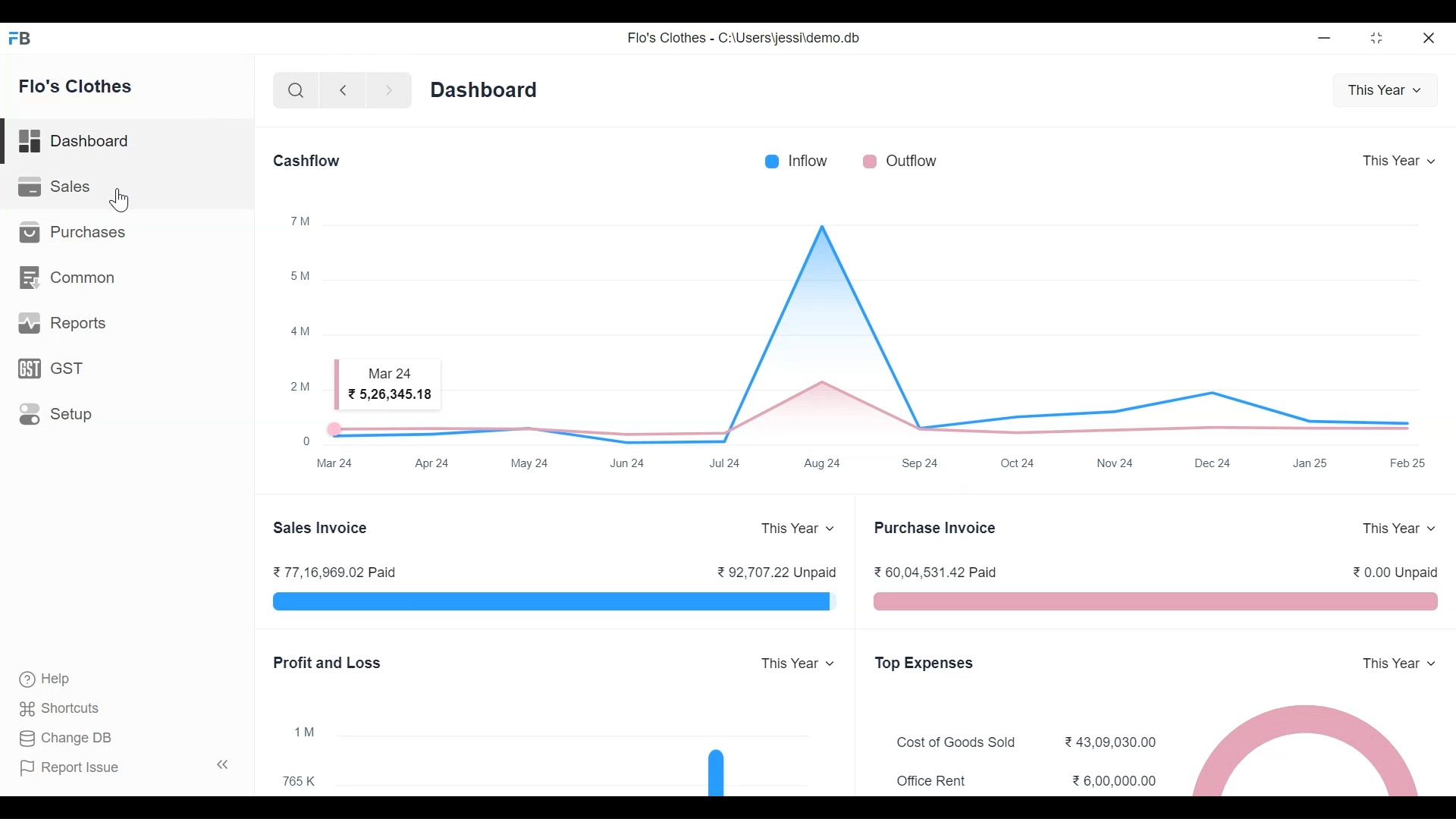 The height and width of the screenshot is (819, 1456). Describe the element at coordinates (915, 159) in the screenshot. I see `Outflow` at that location.